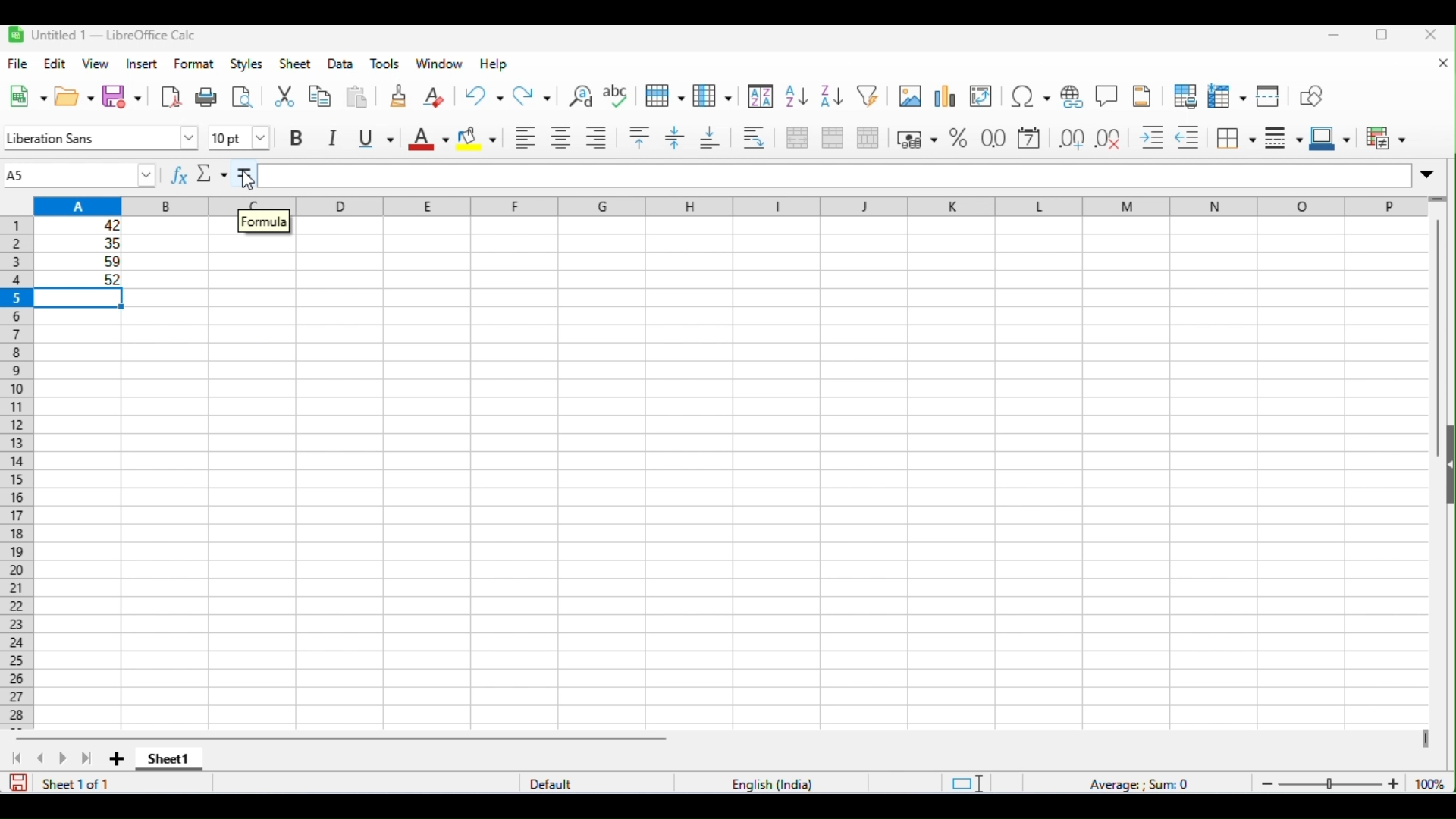 The height and width of the screenshot is (819, 1456). Describe the element at coordinates (22, 758) in the screenshot. I see `first sheet` at that location.